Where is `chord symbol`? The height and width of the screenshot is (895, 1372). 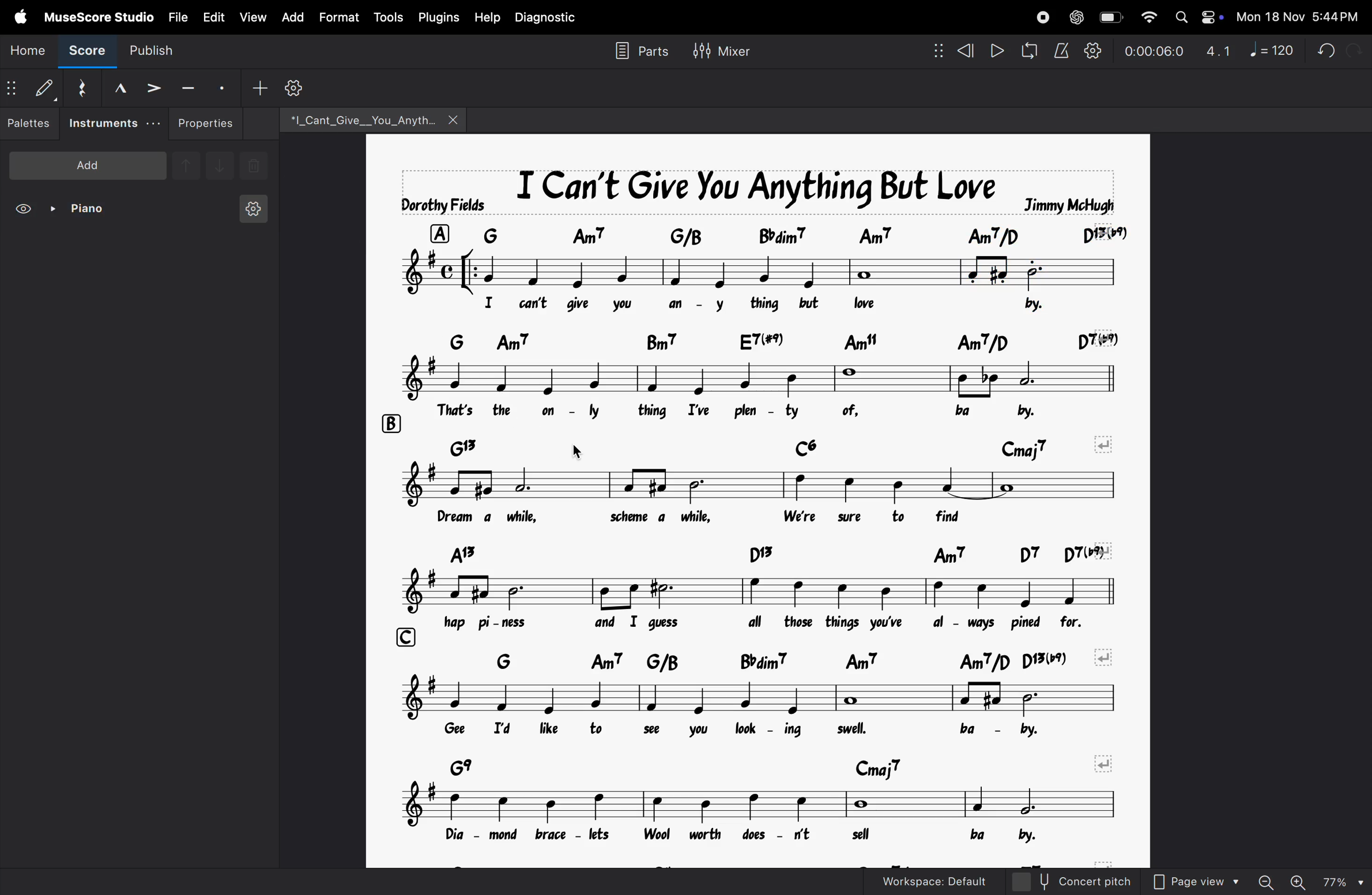 chord symbol is located at coordinates (801, 234).